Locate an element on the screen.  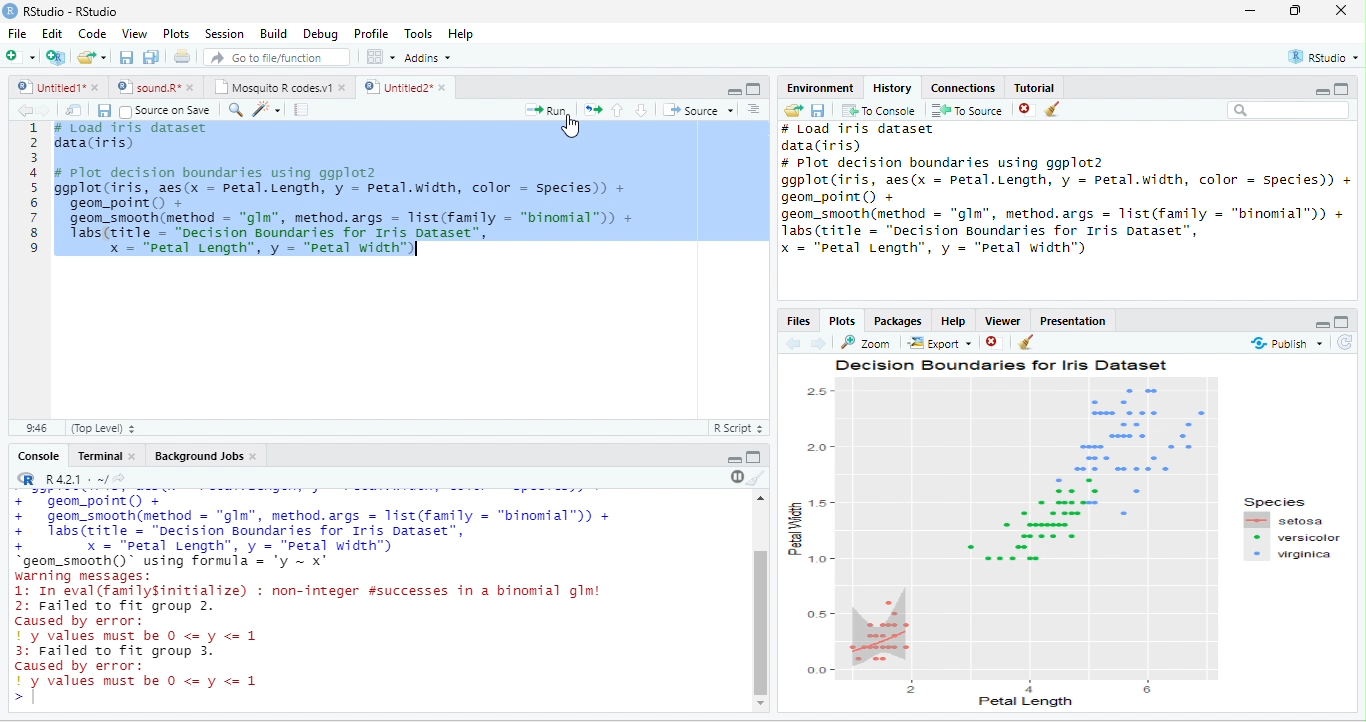
geom_smooth(method = “gim”, method.args = list(family = "binomial™)) +
Tabs (title = “Decision Boundaries for Iris Dataset”,
x = "petal Length”, y = "petal width") is located at coordinates (1063, 232).